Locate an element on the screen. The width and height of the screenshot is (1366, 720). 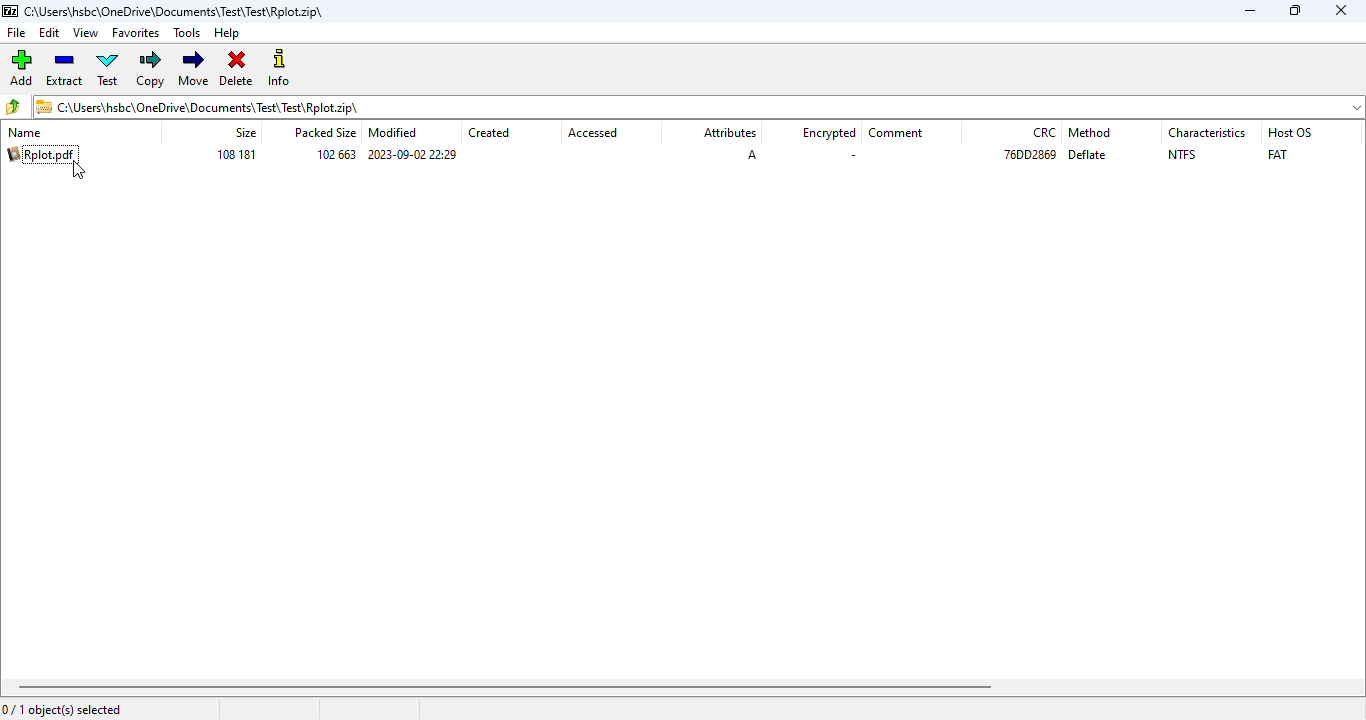
name is located at coordinates (24, 133).